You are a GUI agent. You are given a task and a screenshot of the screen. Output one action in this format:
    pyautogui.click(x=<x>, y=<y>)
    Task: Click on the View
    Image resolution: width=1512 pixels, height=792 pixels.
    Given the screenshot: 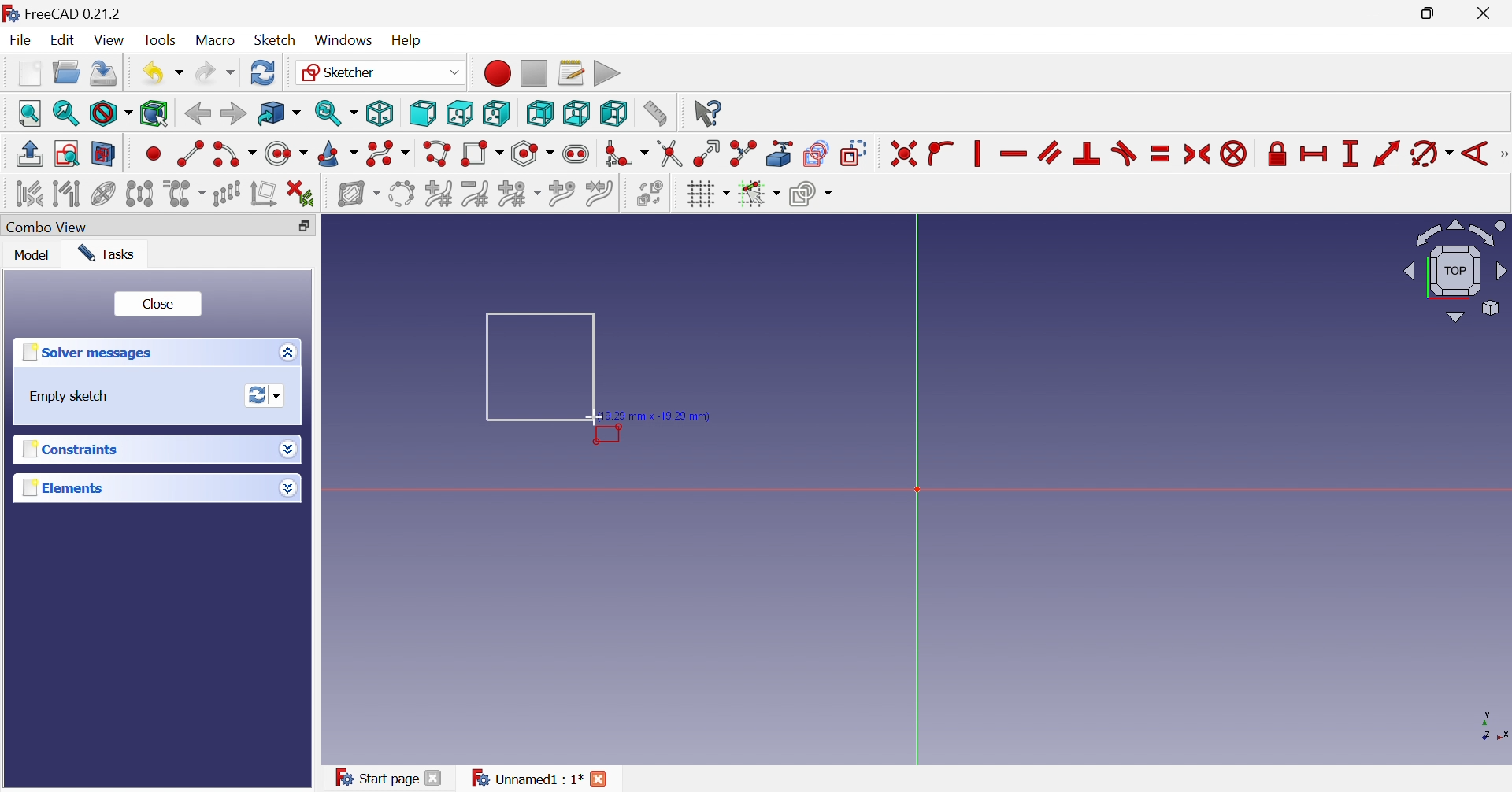 What is the action you would take?
    pyautogui.click(x=111, y=43)
    